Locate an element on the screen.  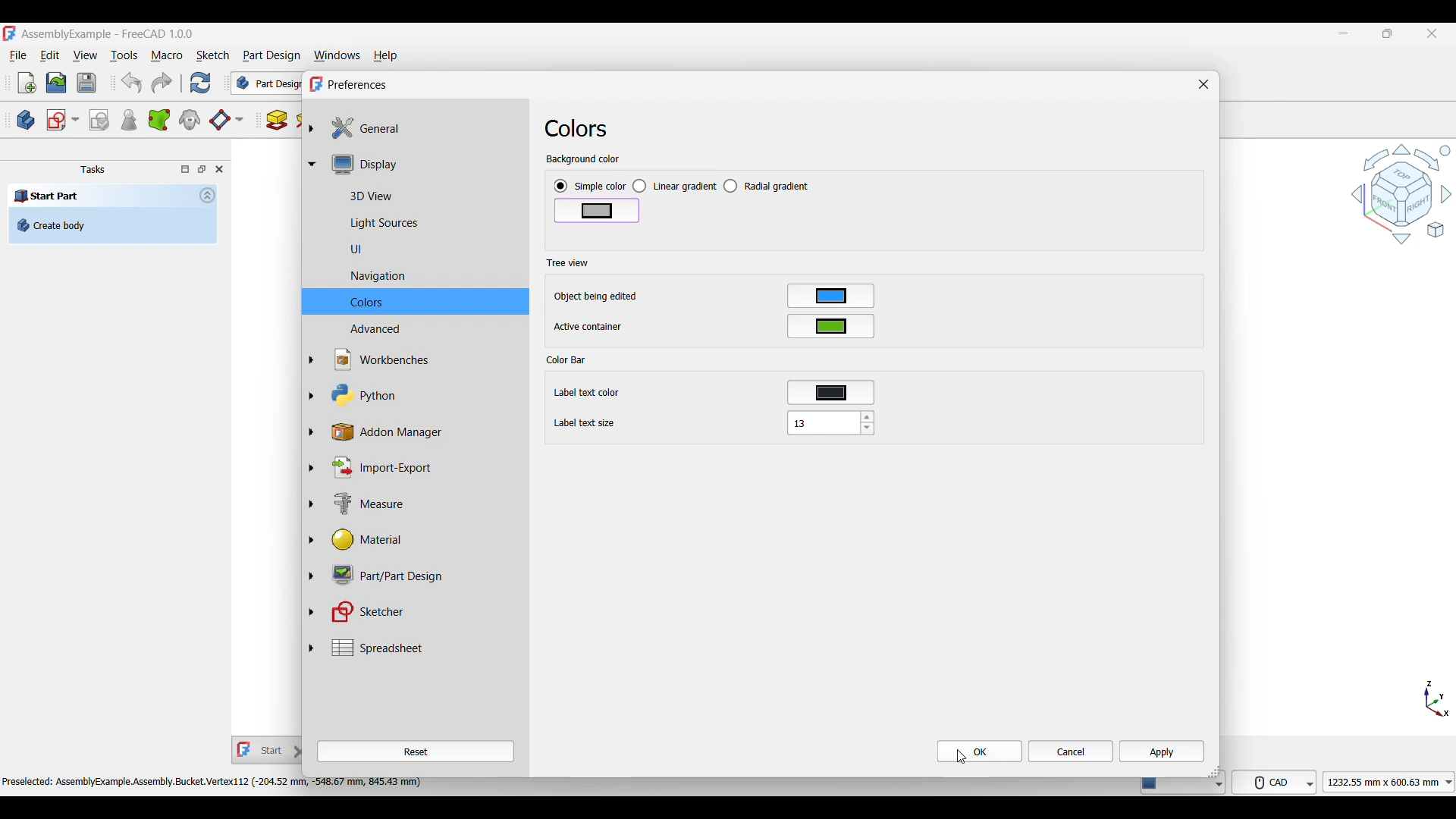
Cursor clicking on OK is located at coordinates (962, 757).